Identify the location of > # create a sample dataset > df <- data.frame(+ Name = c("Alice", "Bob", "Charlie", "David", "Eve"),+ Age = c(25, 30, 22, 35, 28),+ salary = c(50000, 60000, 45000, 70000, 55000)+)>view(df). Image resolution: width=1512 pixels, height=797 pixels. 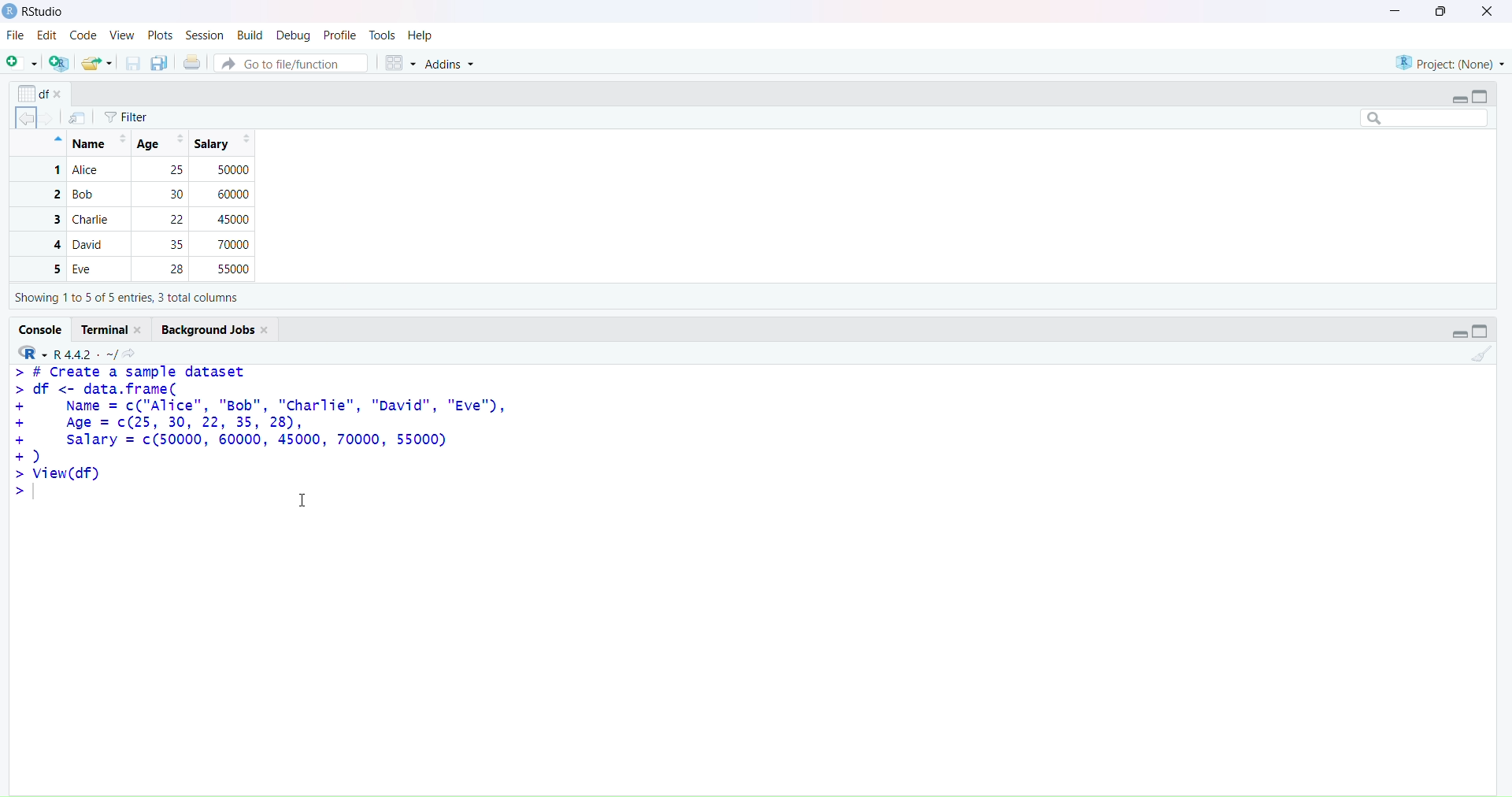
(272, 430).